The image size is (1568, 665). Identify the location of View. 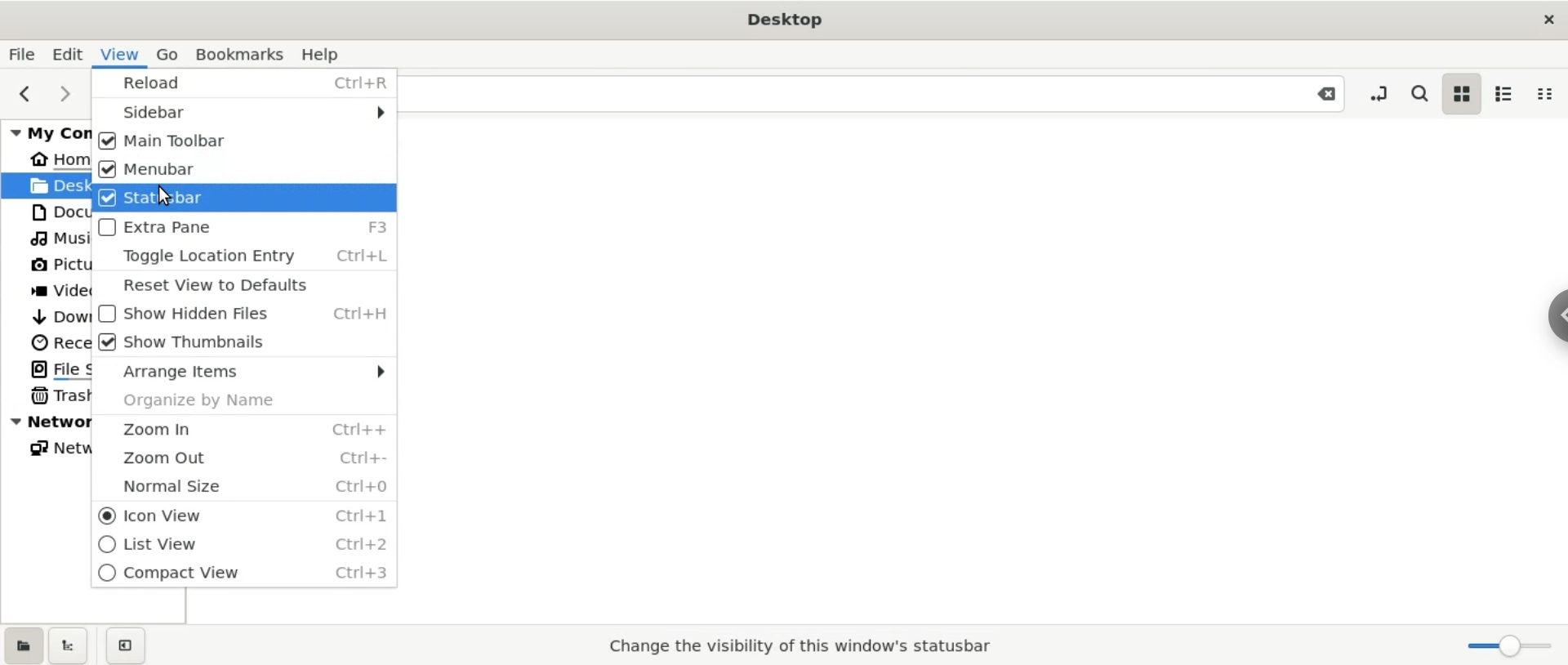
(118, 52).